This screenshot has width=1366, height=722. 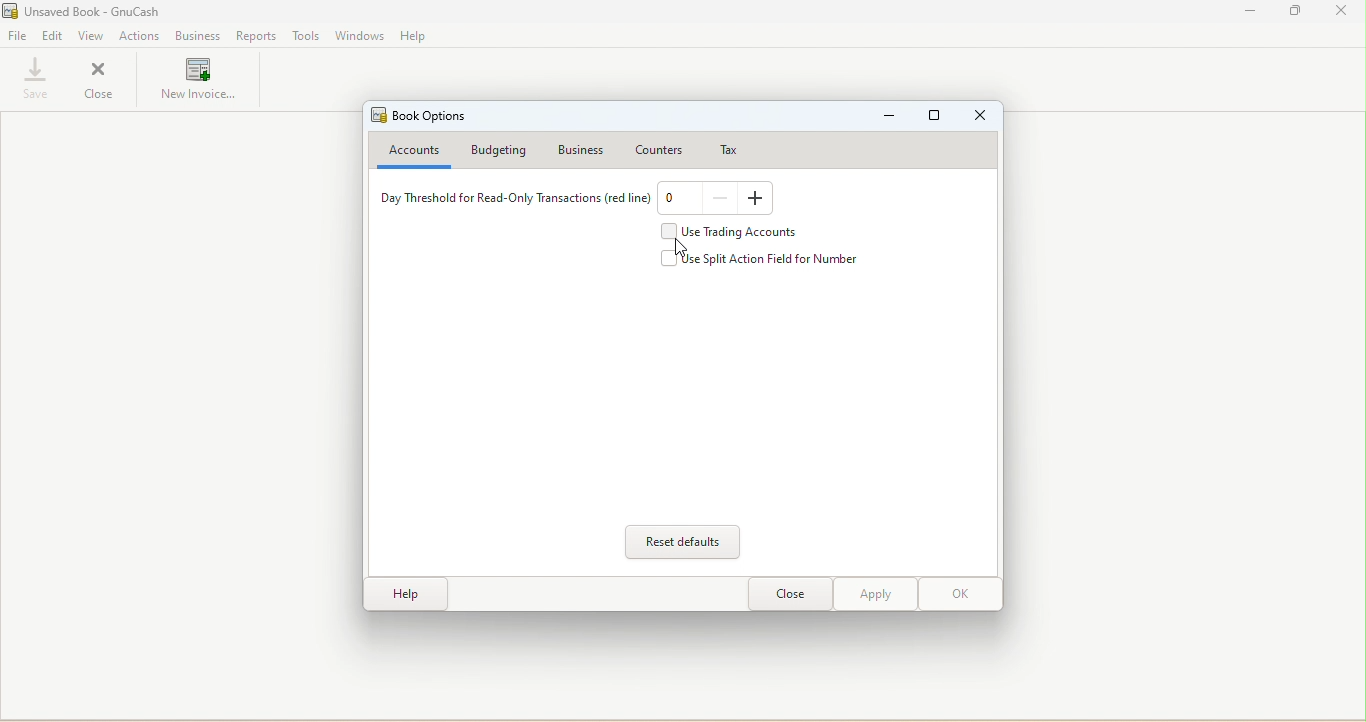 I want to click on Text box, so click(x=677, y=200).